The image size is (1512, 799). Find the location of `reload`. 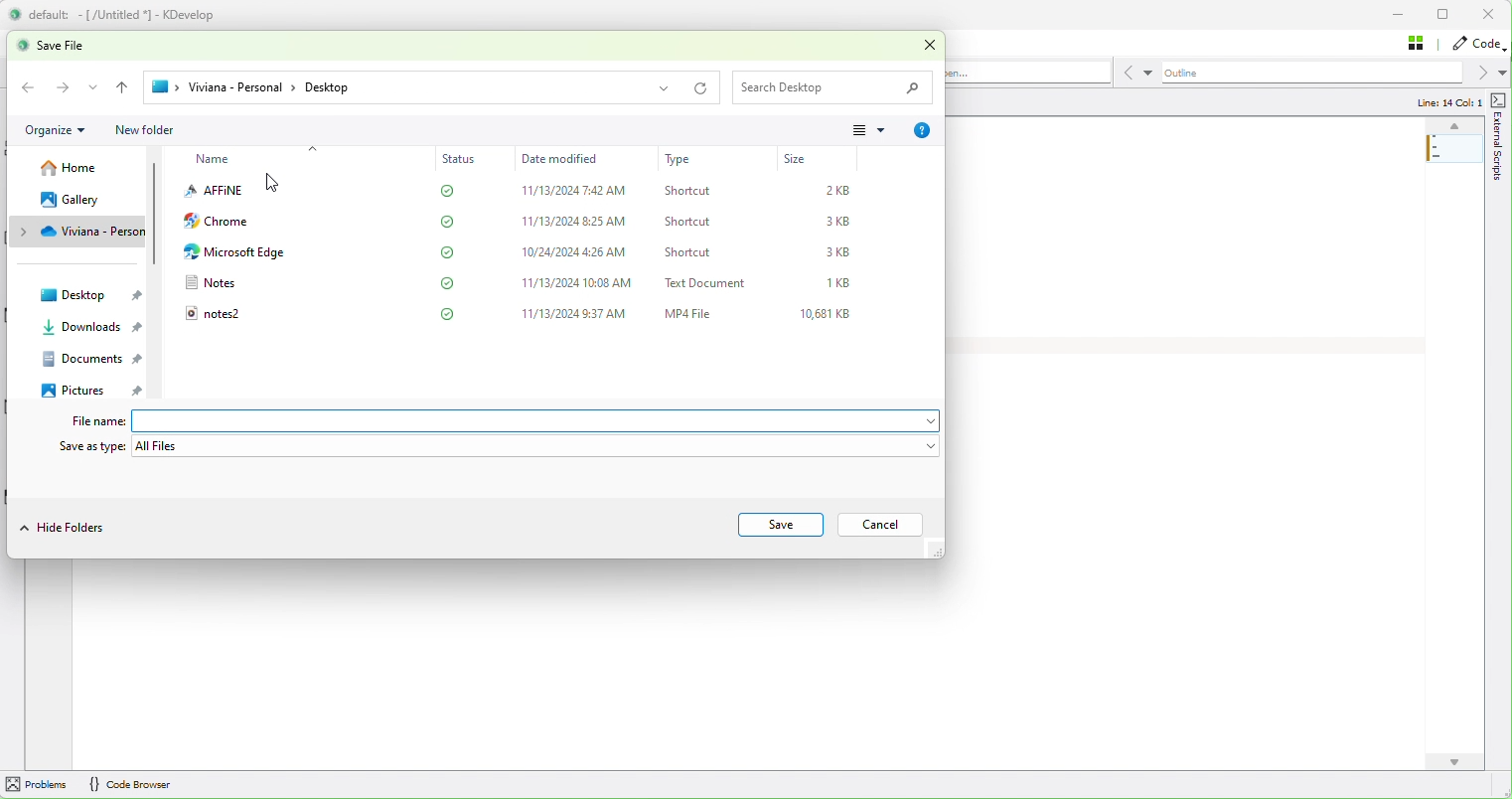

reload is located at coordinates (701, 90).